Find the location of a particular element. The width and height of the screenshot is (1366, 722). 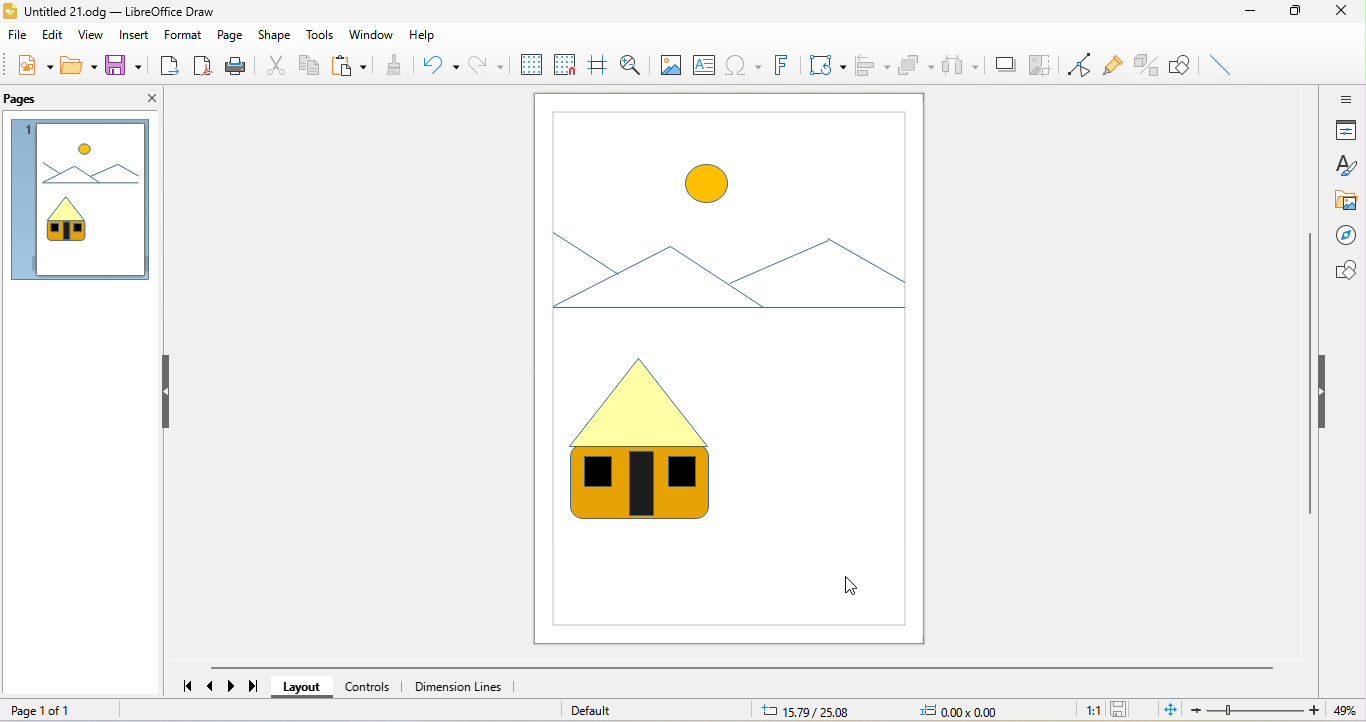

dimension lines is located at coordinates (459, 686).